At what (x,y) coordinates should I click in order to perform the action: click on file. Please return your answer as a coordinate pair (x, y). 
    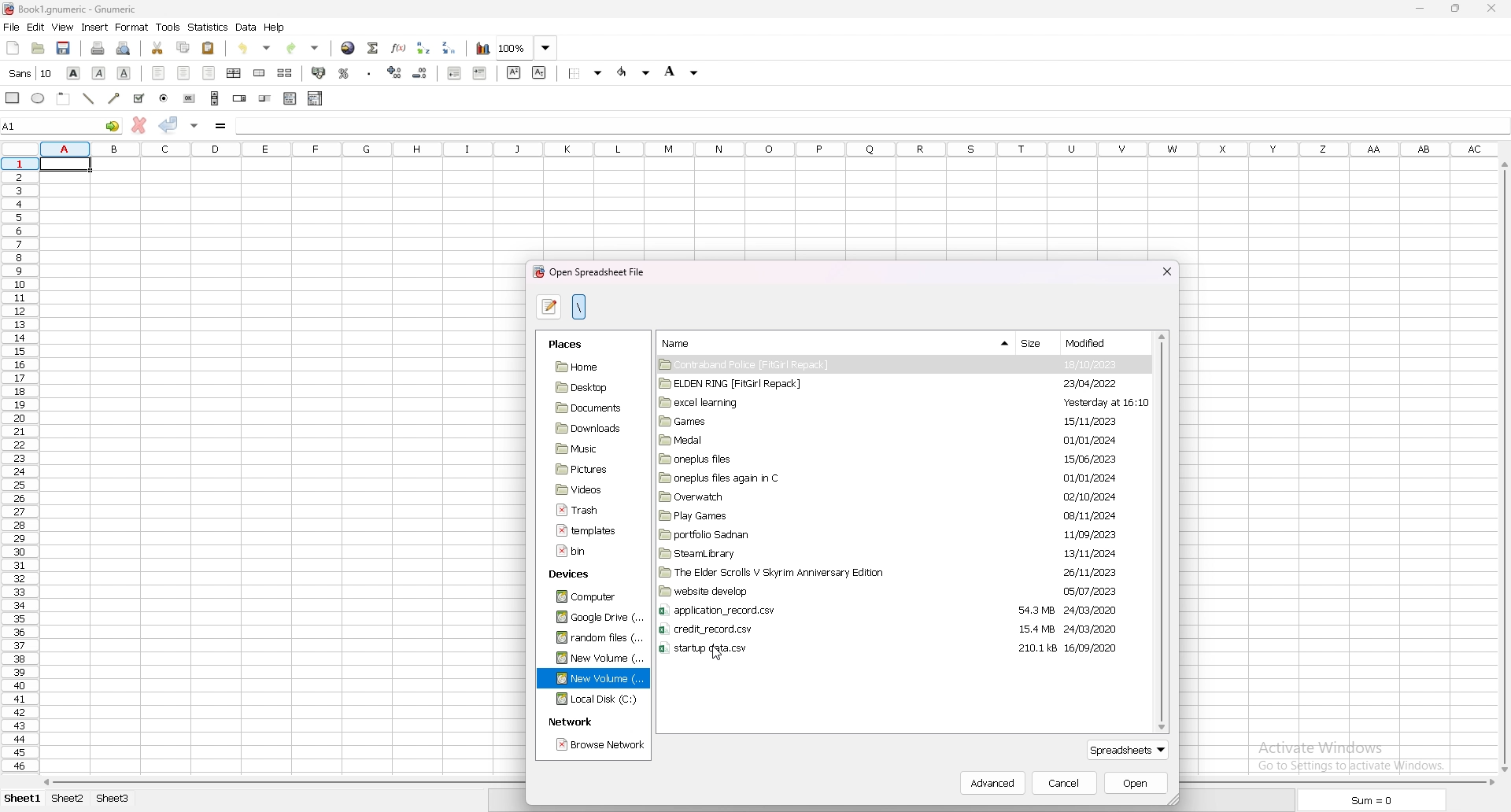
    Looking at the image, I should click on (762, 610).